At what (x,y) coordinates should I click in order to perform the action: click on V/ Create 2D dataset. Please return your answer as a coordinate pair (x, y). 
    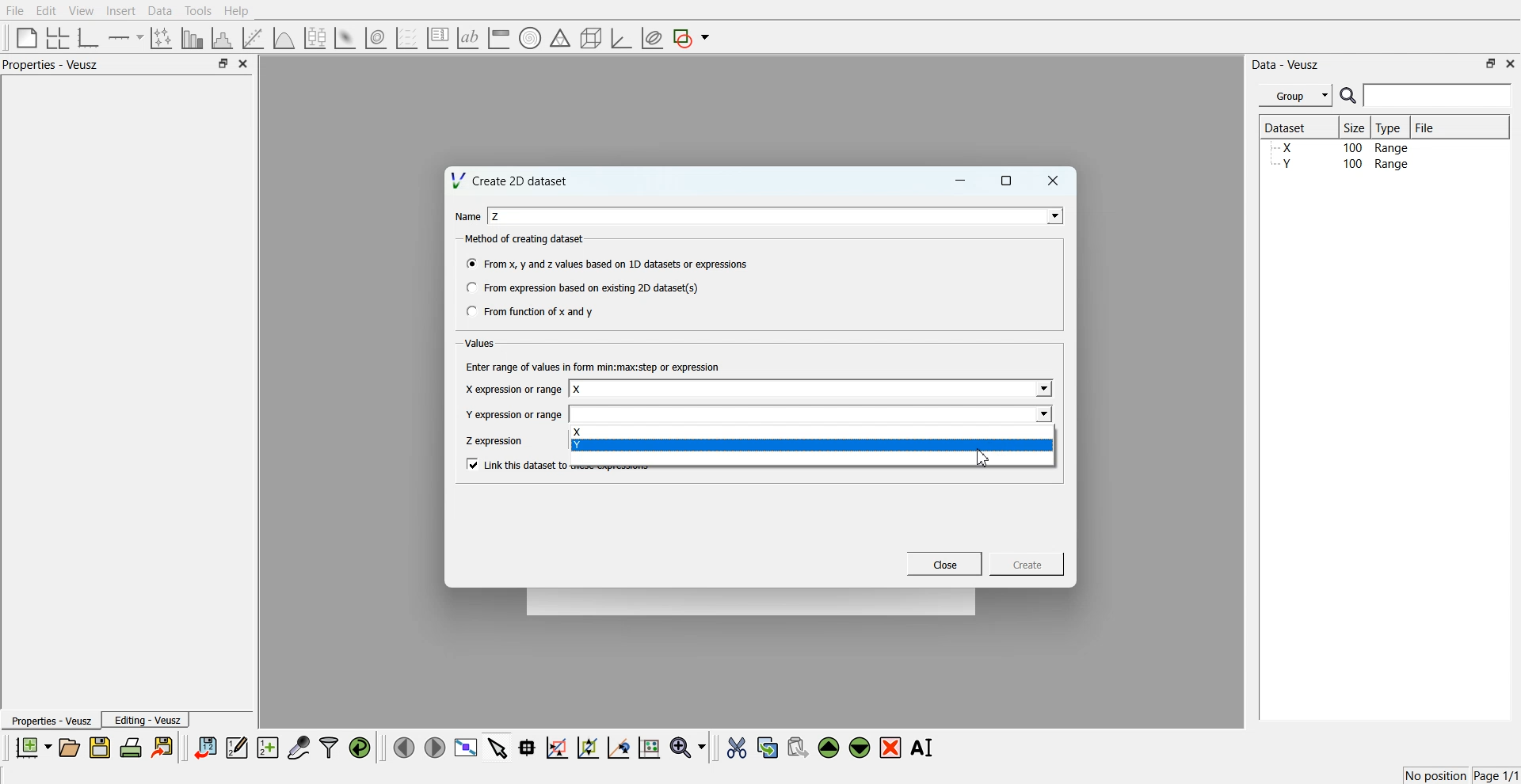
    Looking at the image, I should click on (511, 180).